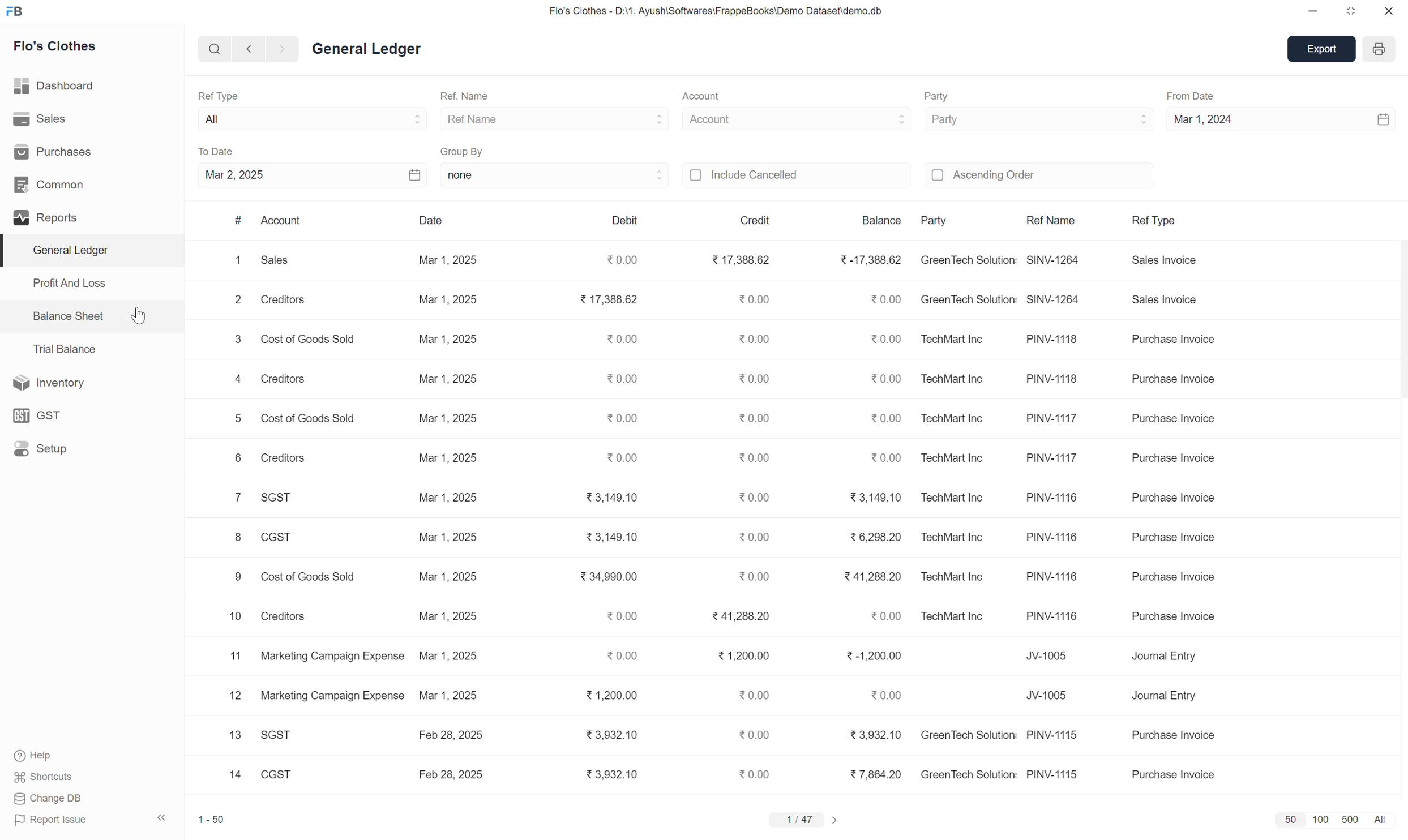 The image size is (1408, 840). I want to click on 1,200.00, so click(736, 655).